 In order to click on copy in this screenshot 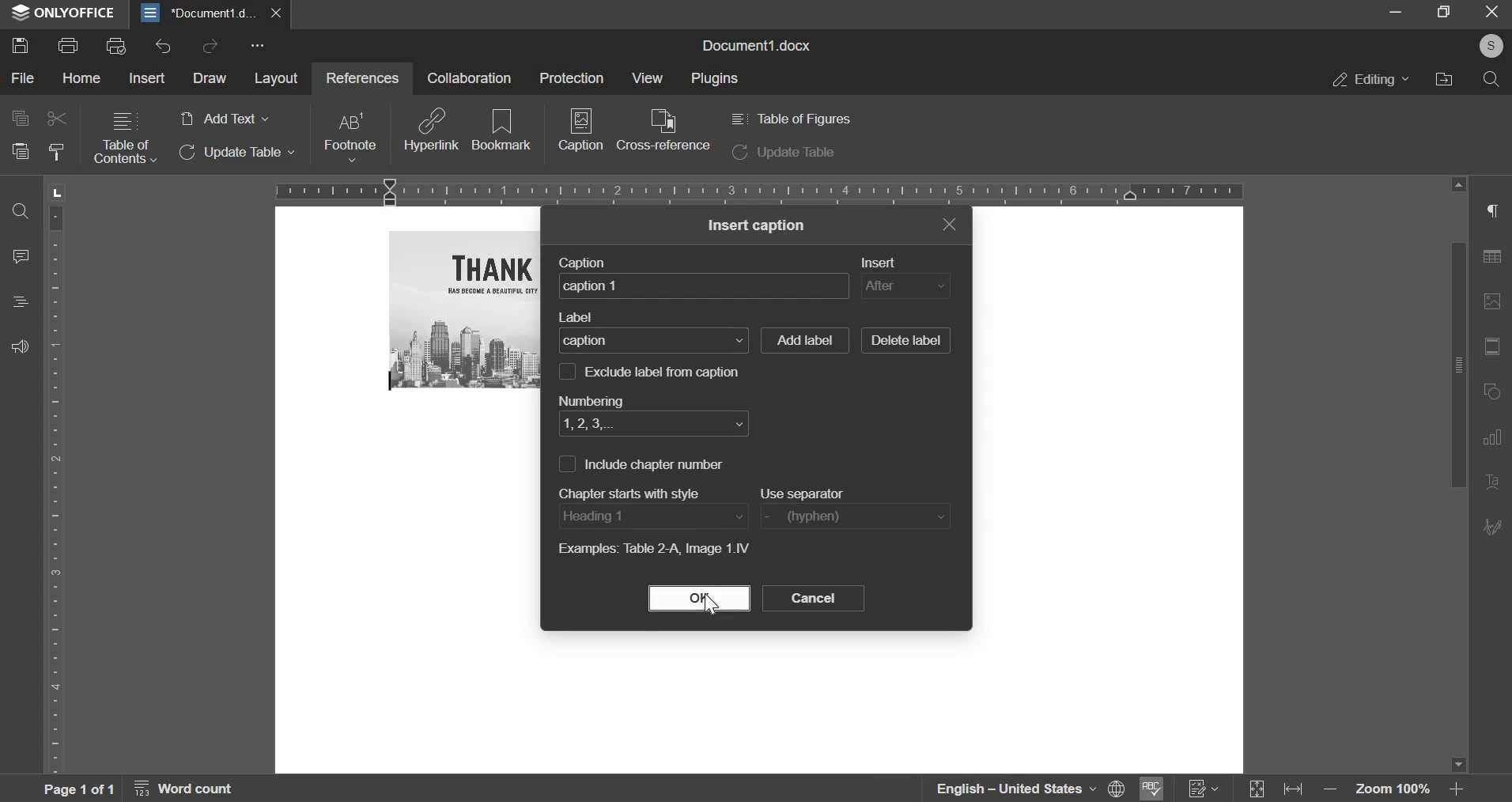, I will do `click(19, 117)`.